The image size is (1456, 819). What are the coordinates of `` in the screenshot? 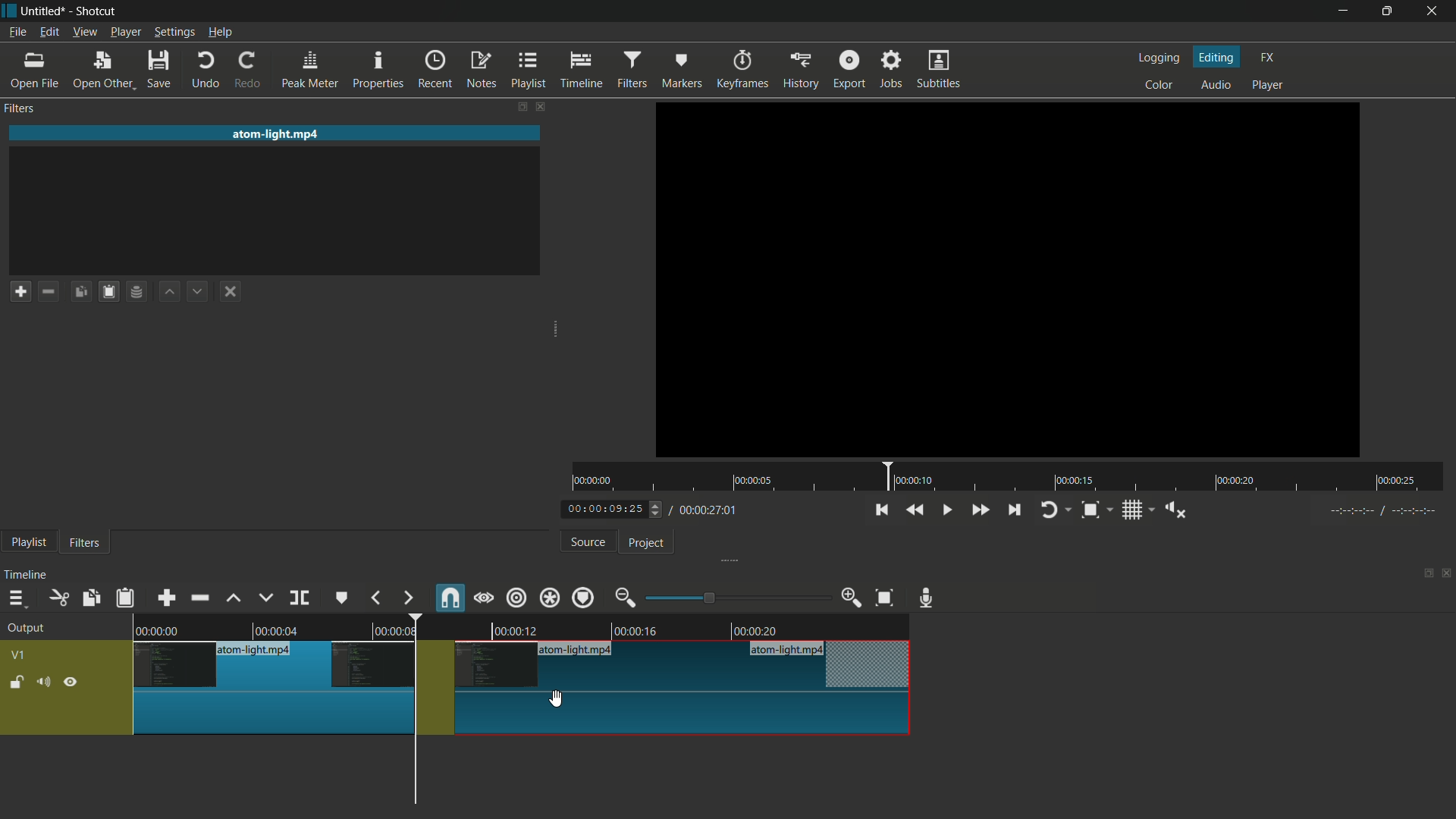 It's located at (1379, 513).